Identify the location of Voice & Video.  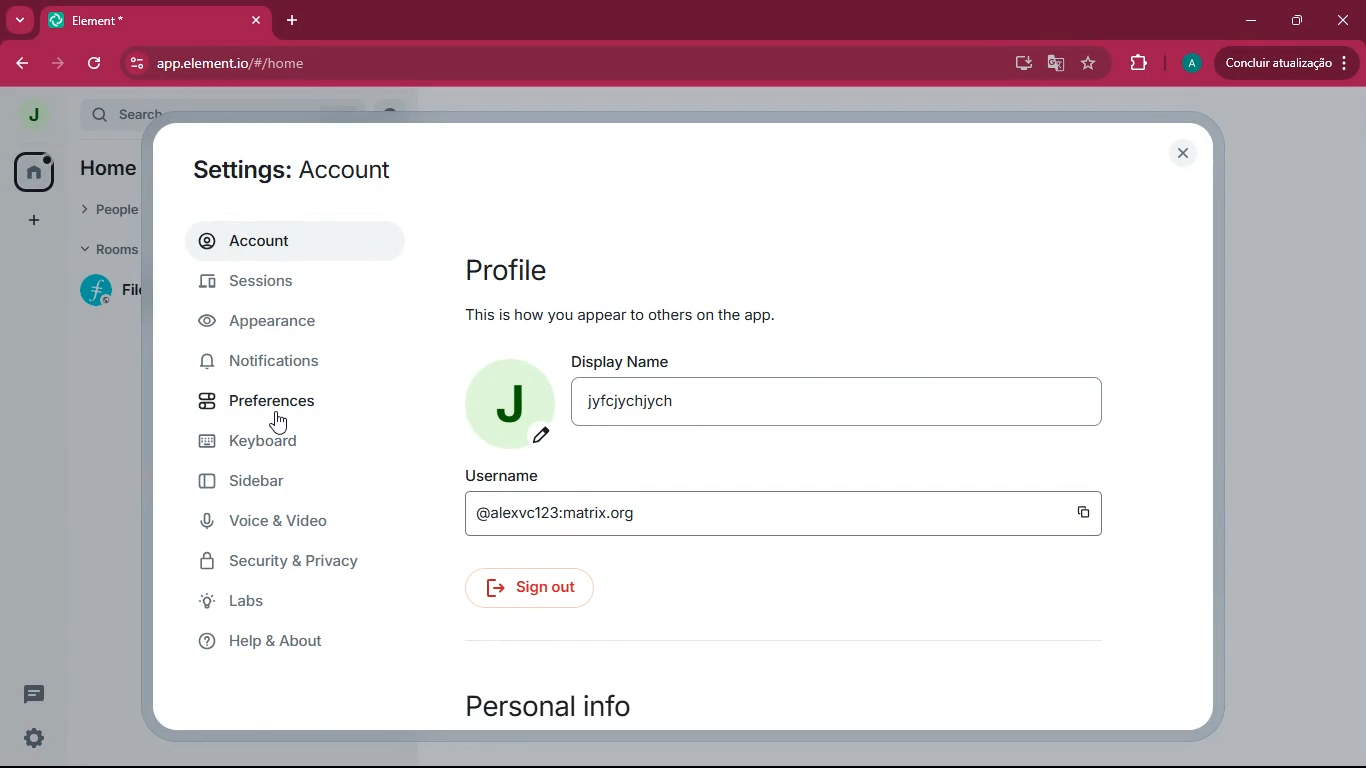
(274, 524).